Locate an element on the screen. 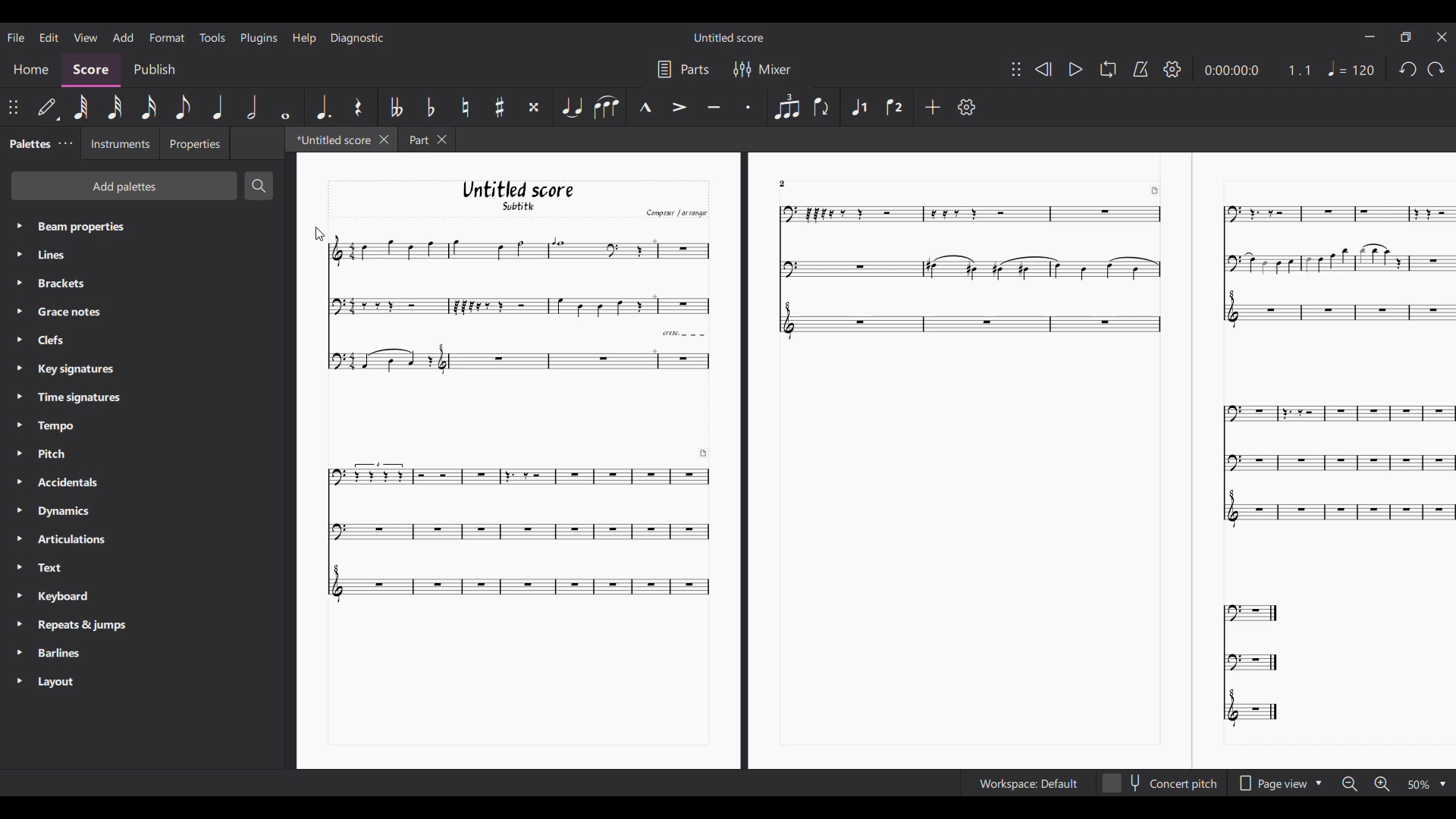 The width and height of the screenshot is (1456, 819). Help is located at coordinates (303, 39).